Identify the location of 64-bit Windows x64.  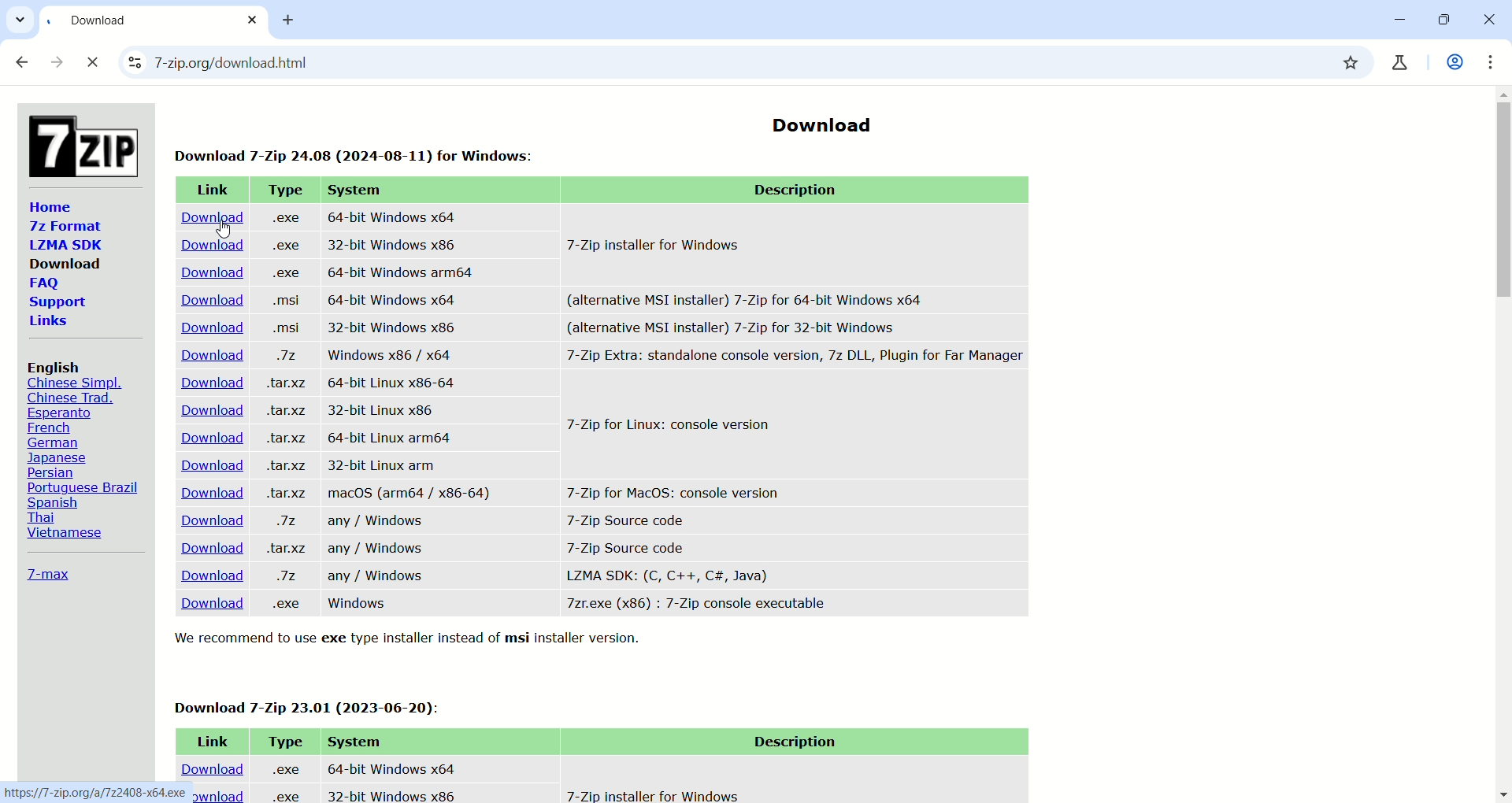
(391, 299).